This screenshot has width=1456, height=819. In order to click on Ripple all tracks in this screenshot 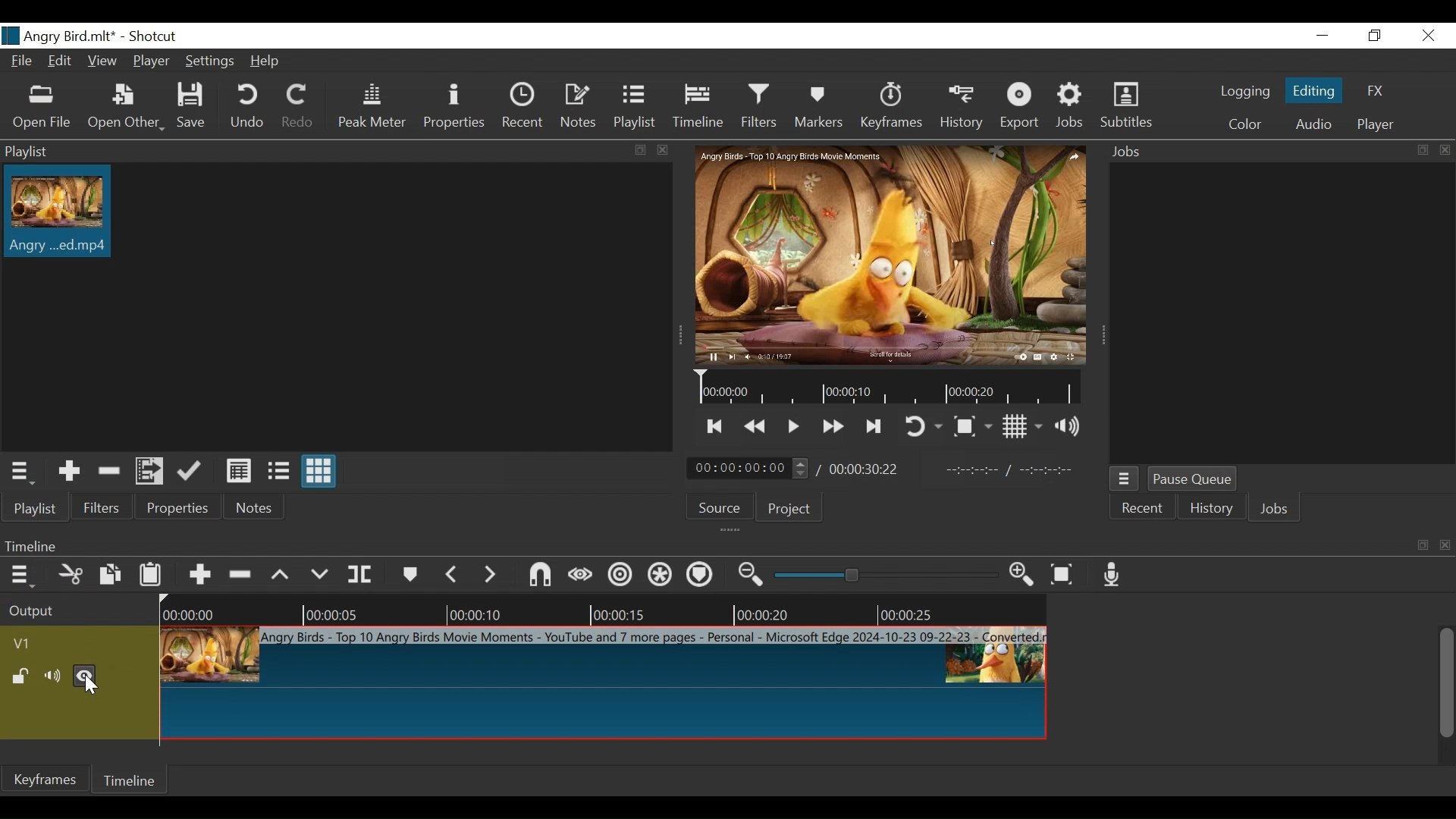, I will do `click(658, 576)`.